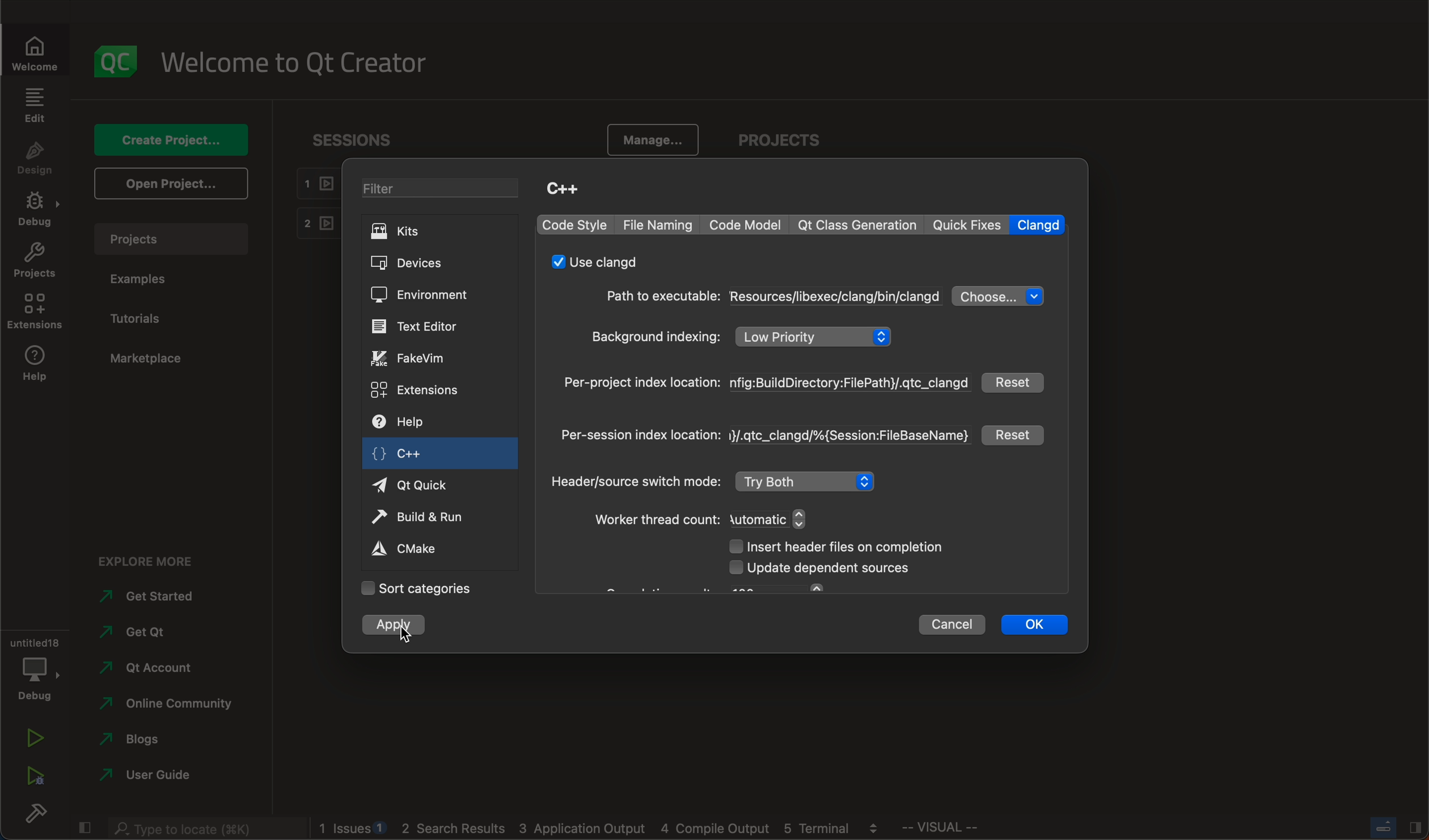  Describe the element at coordinates (859, 226) in the screenshot. I see `qt` at that location.